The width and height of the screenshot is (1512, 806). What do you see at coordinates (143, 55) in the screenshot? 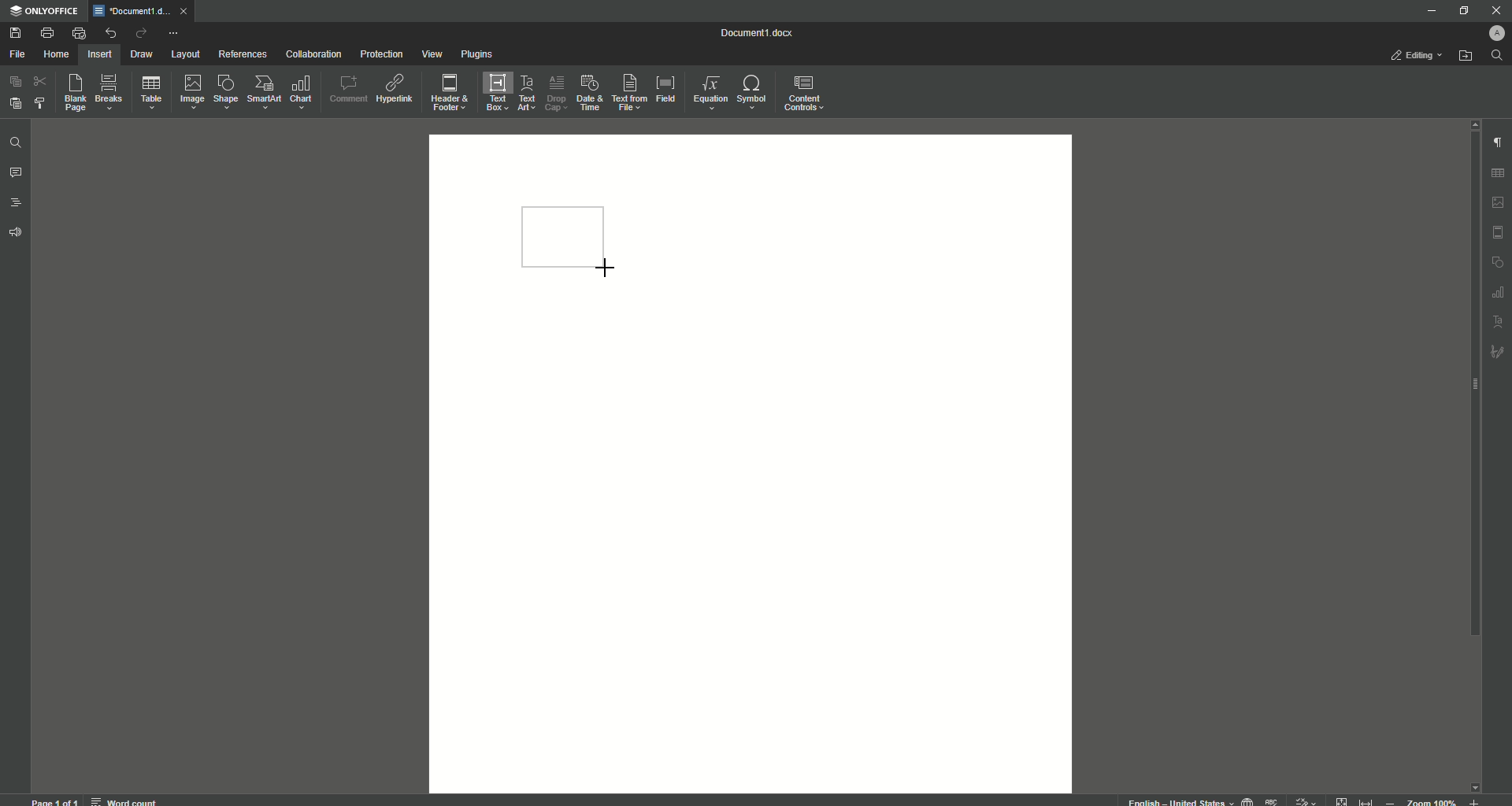
I see `Draw` at bounding box center [143, 55].